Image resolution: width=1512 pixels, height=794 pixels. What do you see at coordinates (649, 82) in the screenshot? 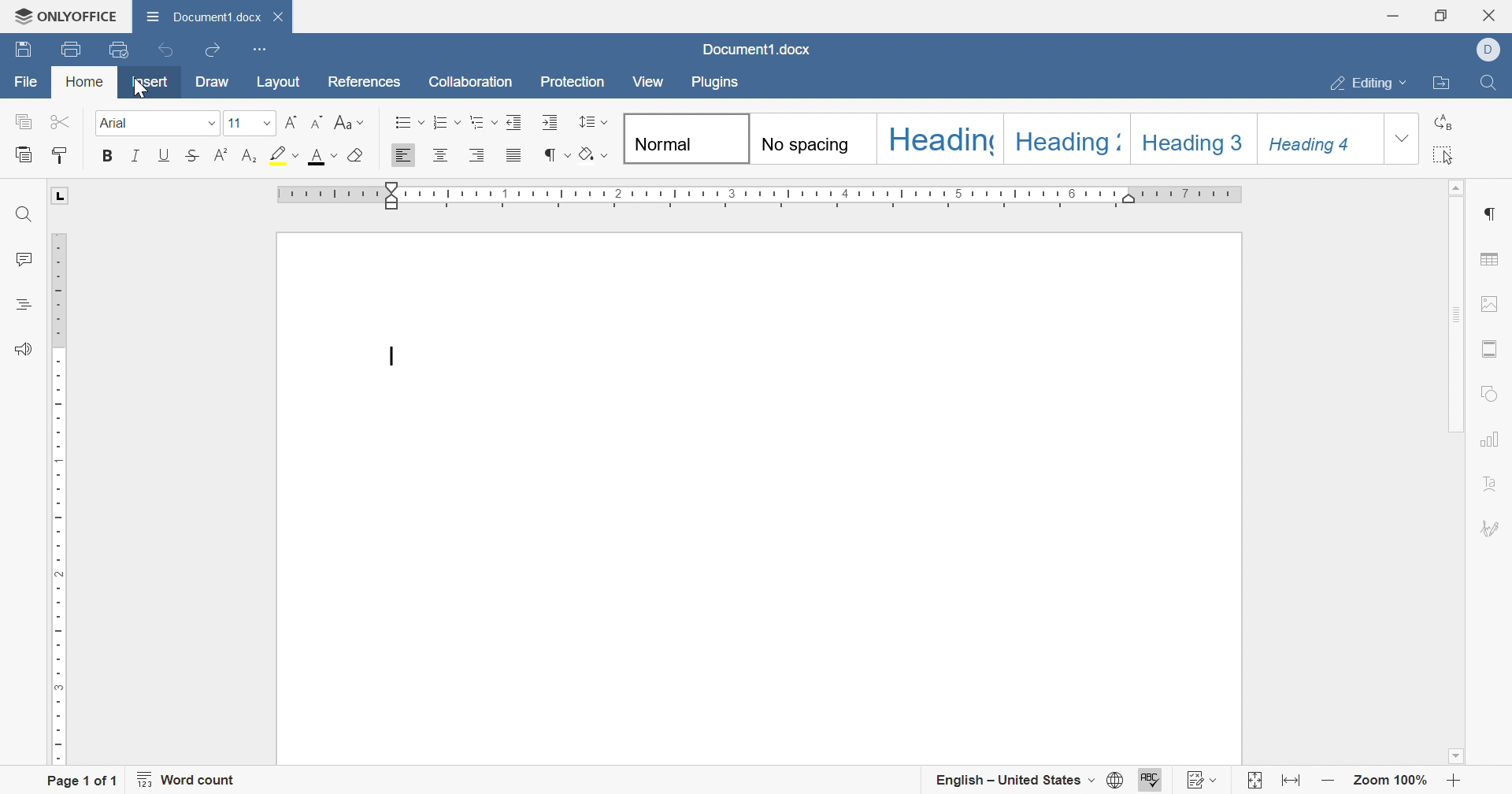
I see `View` at bounding box center [649, 82].